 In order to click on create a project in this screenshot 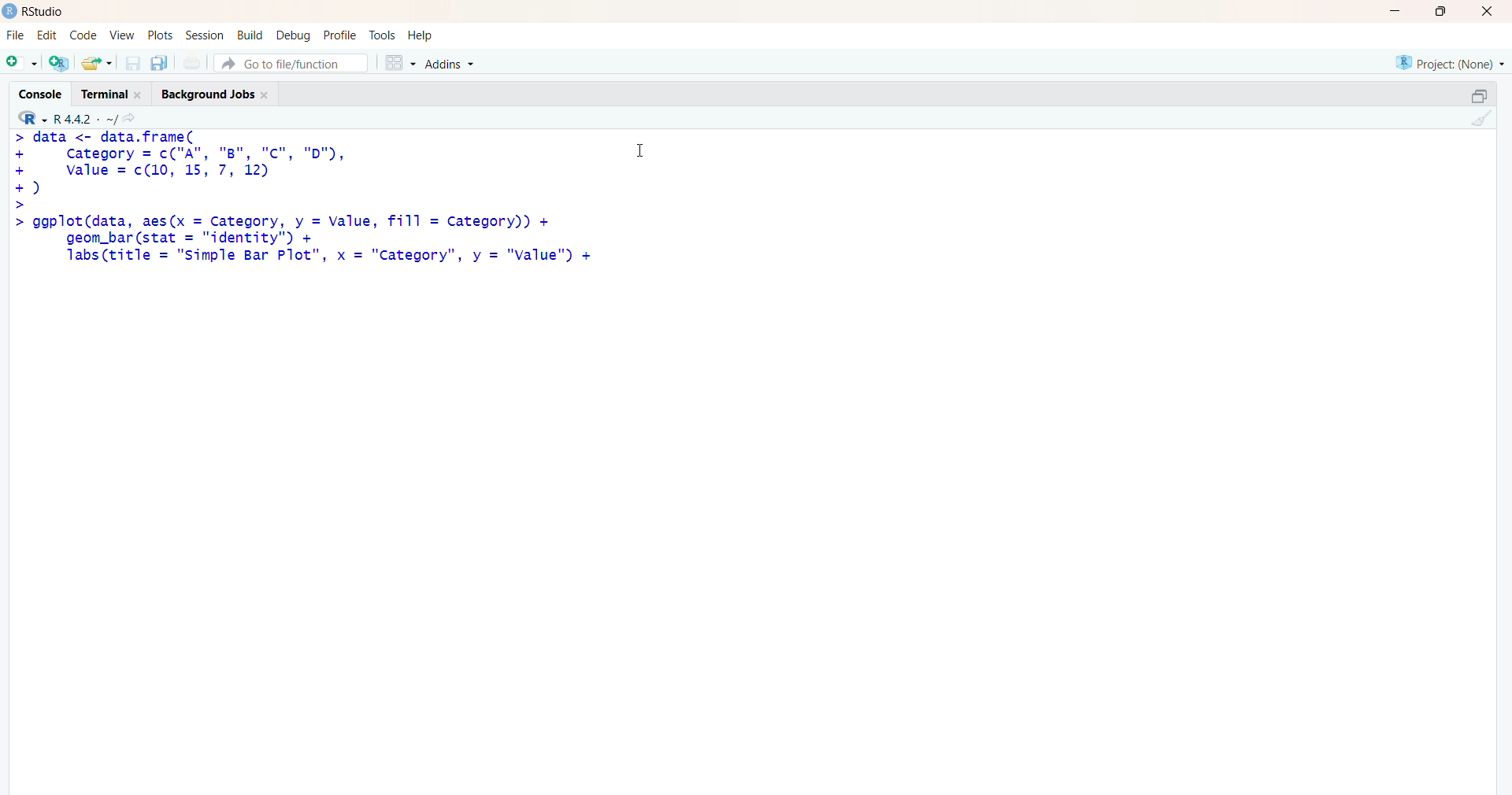, I will do `click(58, 62)`.